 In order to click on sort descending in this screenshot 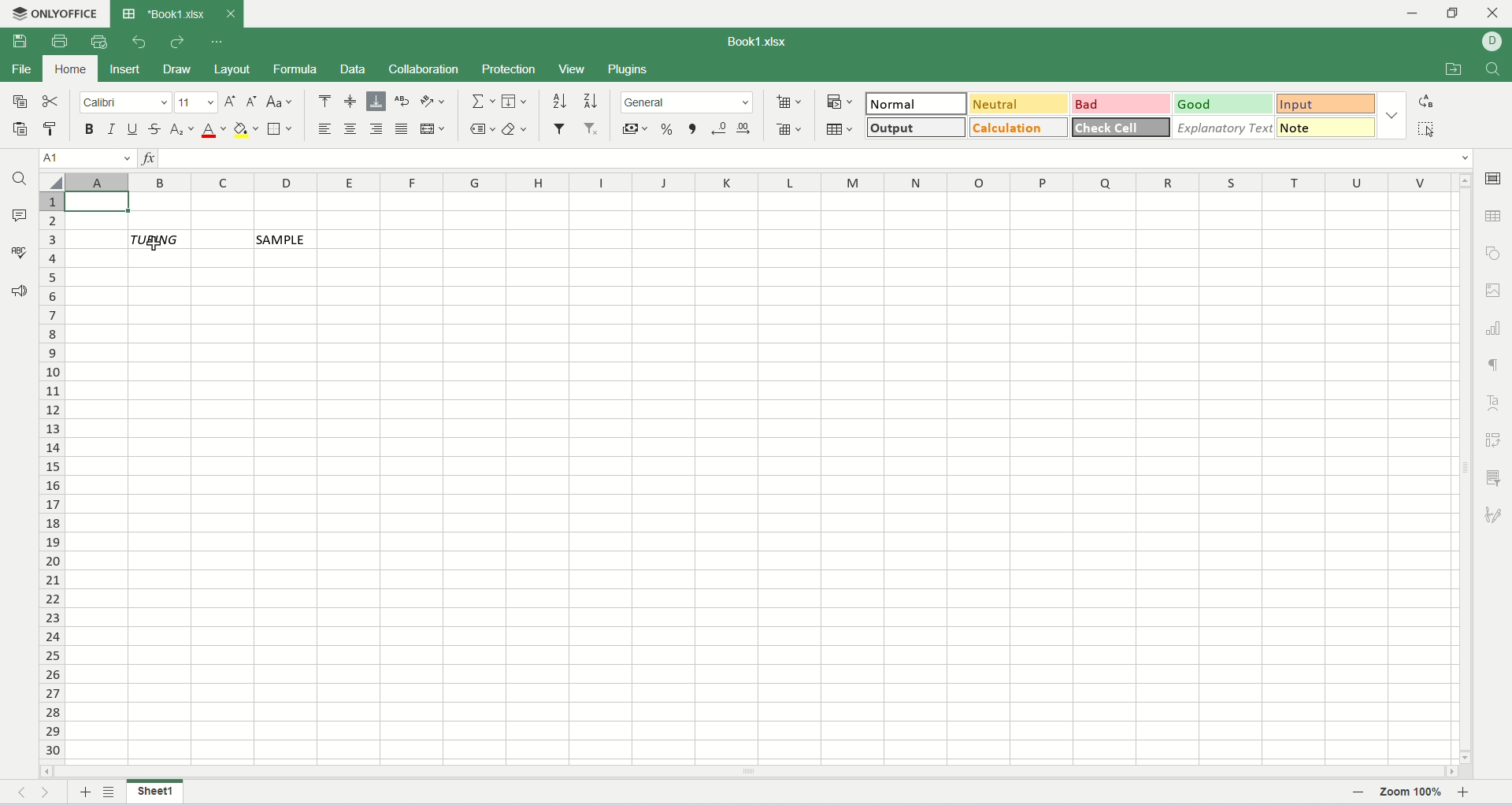, I will do `click(588, 103)`.